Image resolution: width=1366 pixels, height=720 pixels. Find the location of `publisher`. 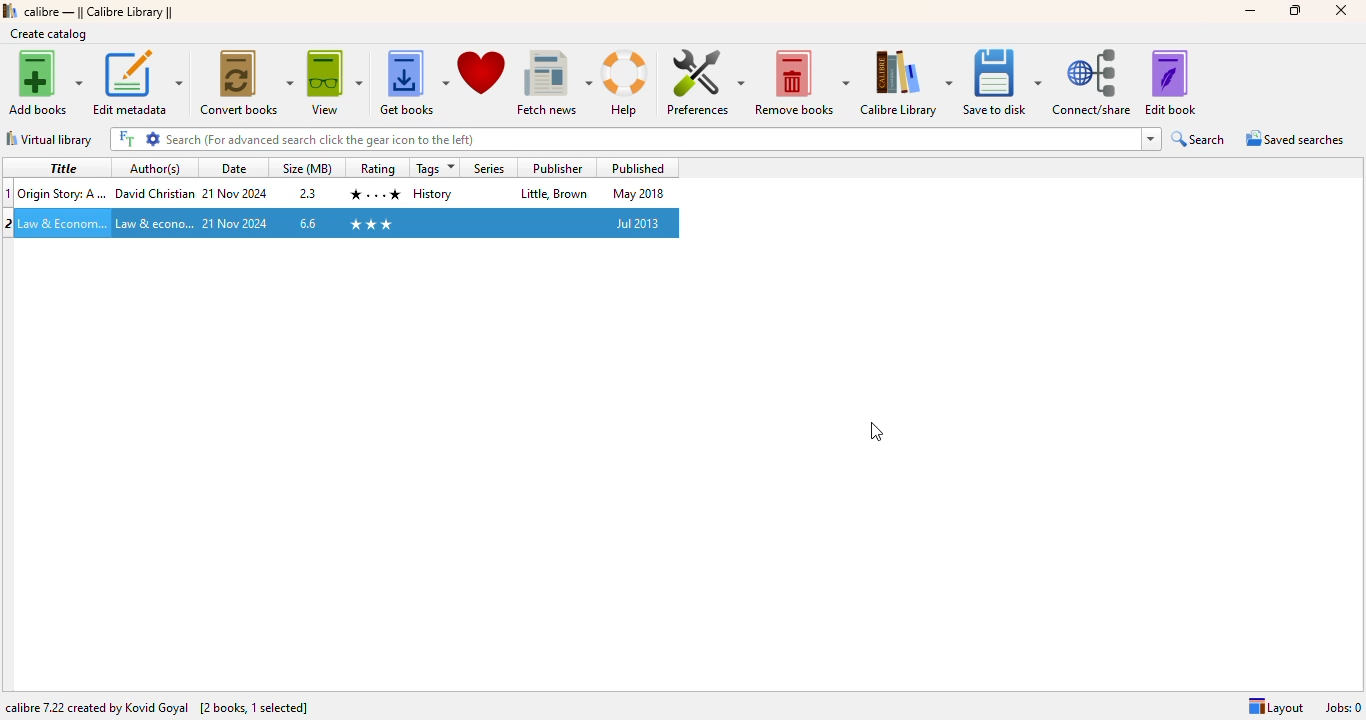

publisher is located at coordinates (554, 195).